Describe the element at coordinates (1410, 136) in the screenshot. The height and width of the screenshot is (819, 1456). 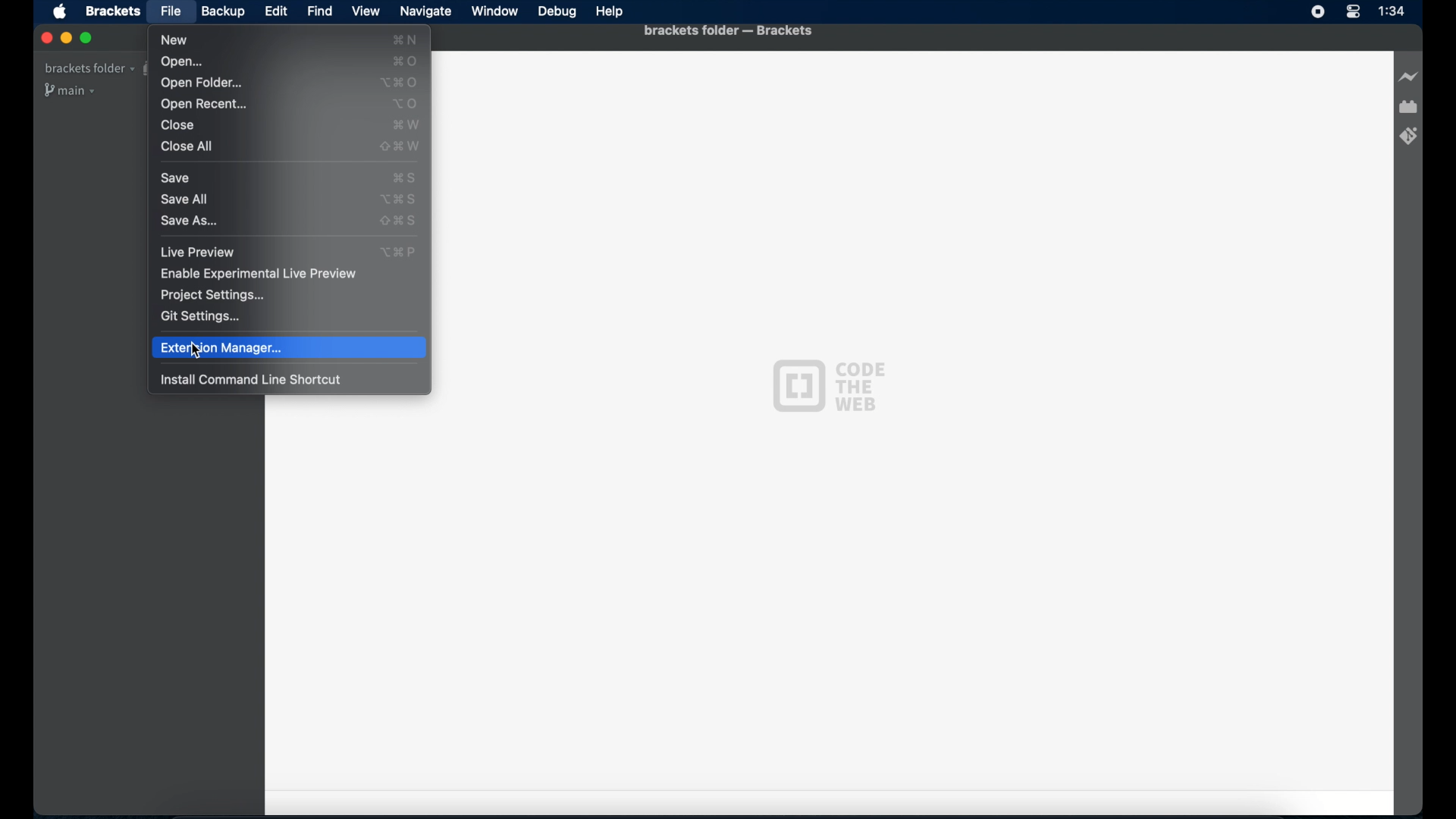
I see `Brackets git extension` at that location.